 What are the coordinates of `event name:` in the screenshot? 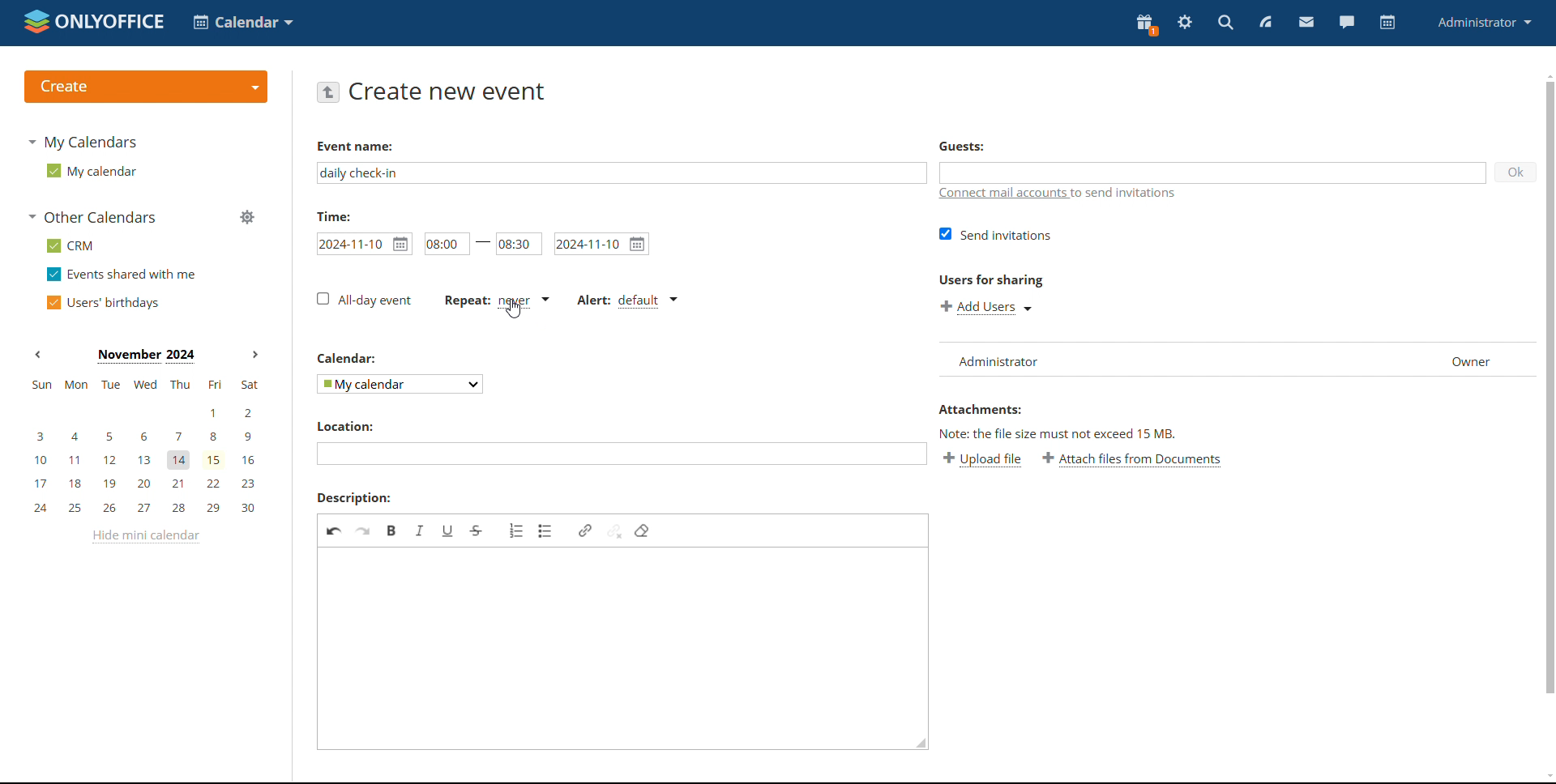 It's located at (369, 147).